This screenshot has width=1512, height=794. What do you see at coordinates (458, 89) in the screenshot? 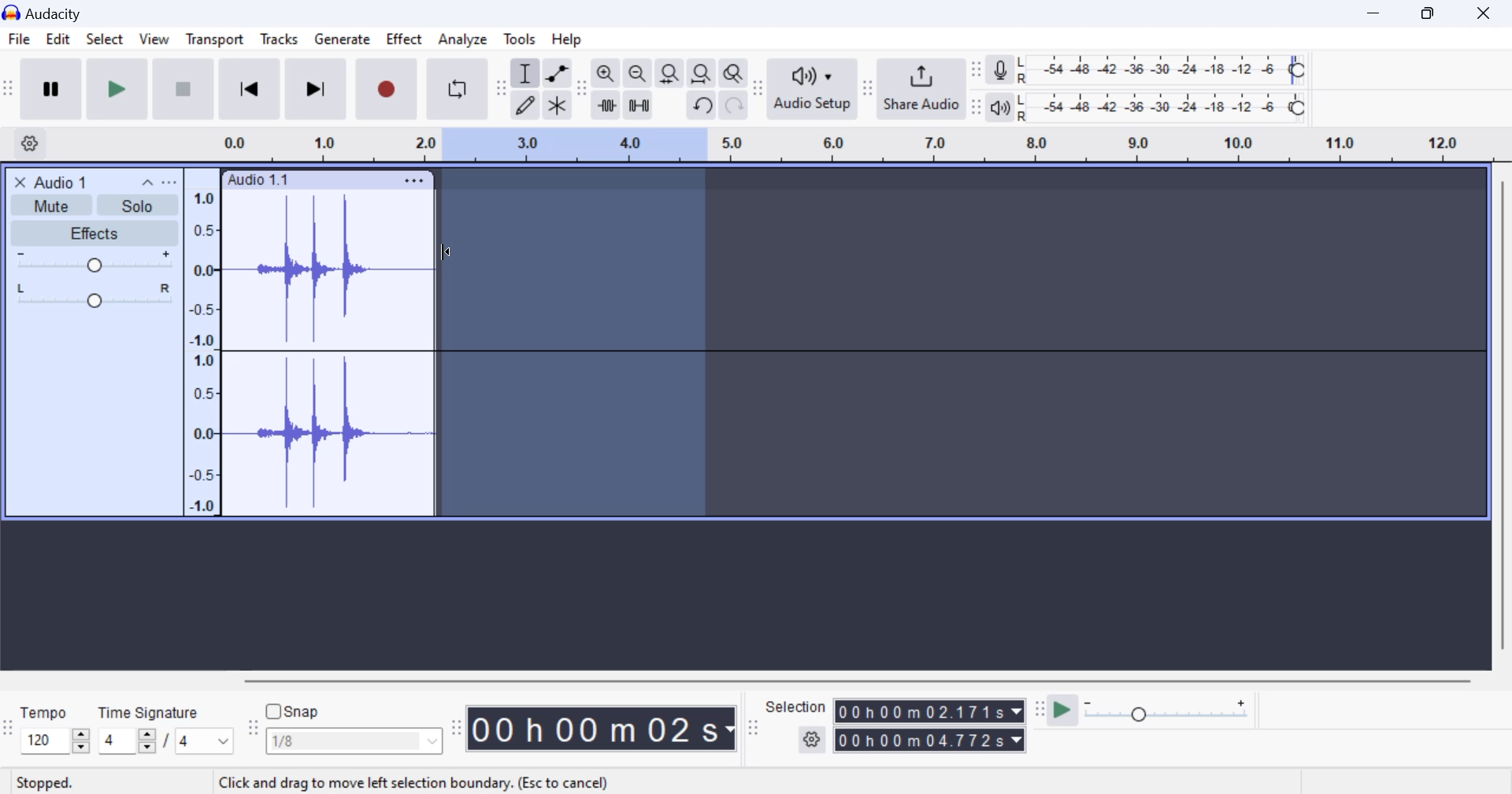
I see `Enable Looping` at bounding box center [458, 89].